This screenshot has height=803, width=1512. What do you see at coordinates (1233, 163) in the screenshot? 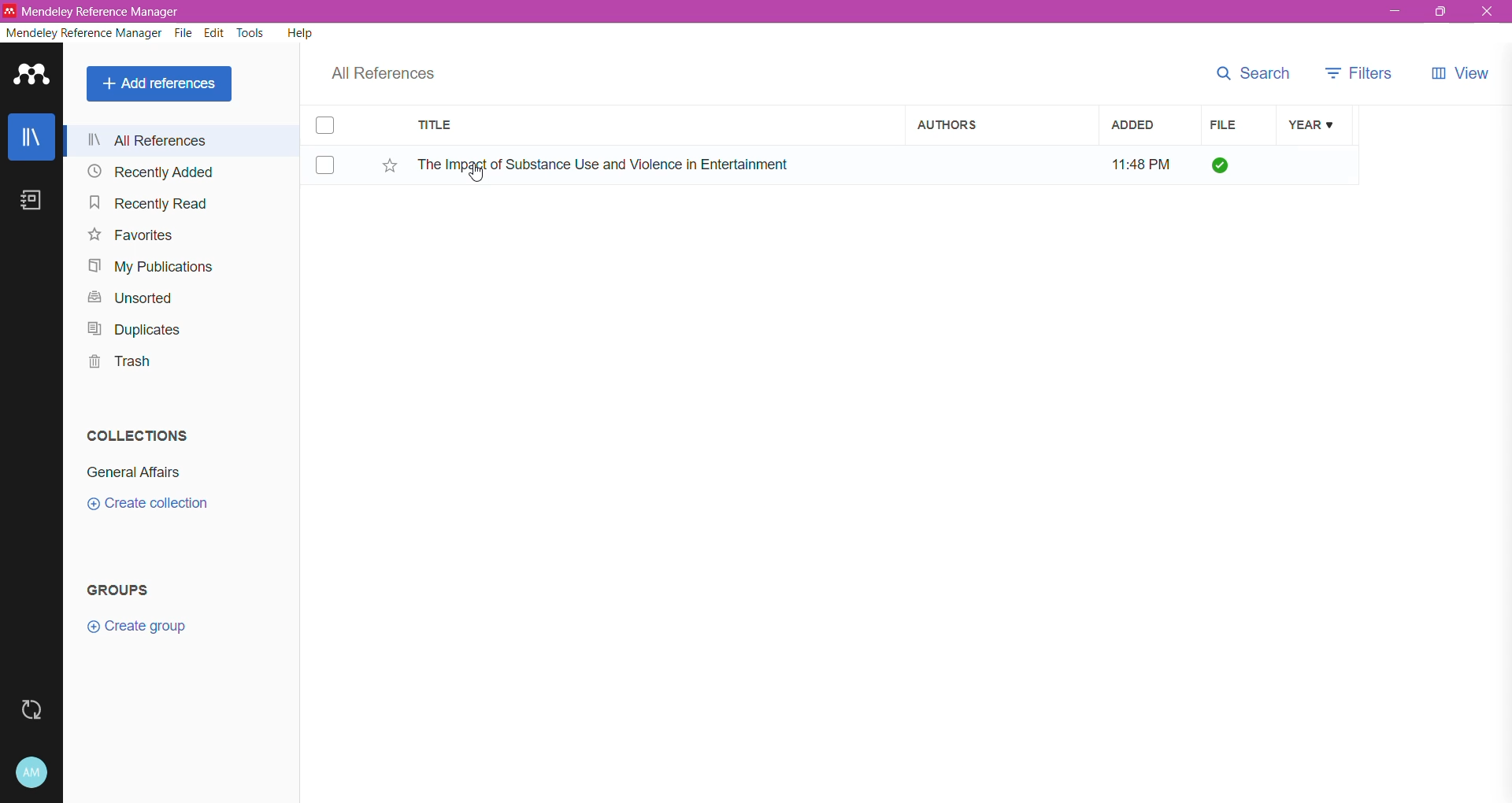
I see `File Add status - All files downloaded` at bounding box center [1233, 163].